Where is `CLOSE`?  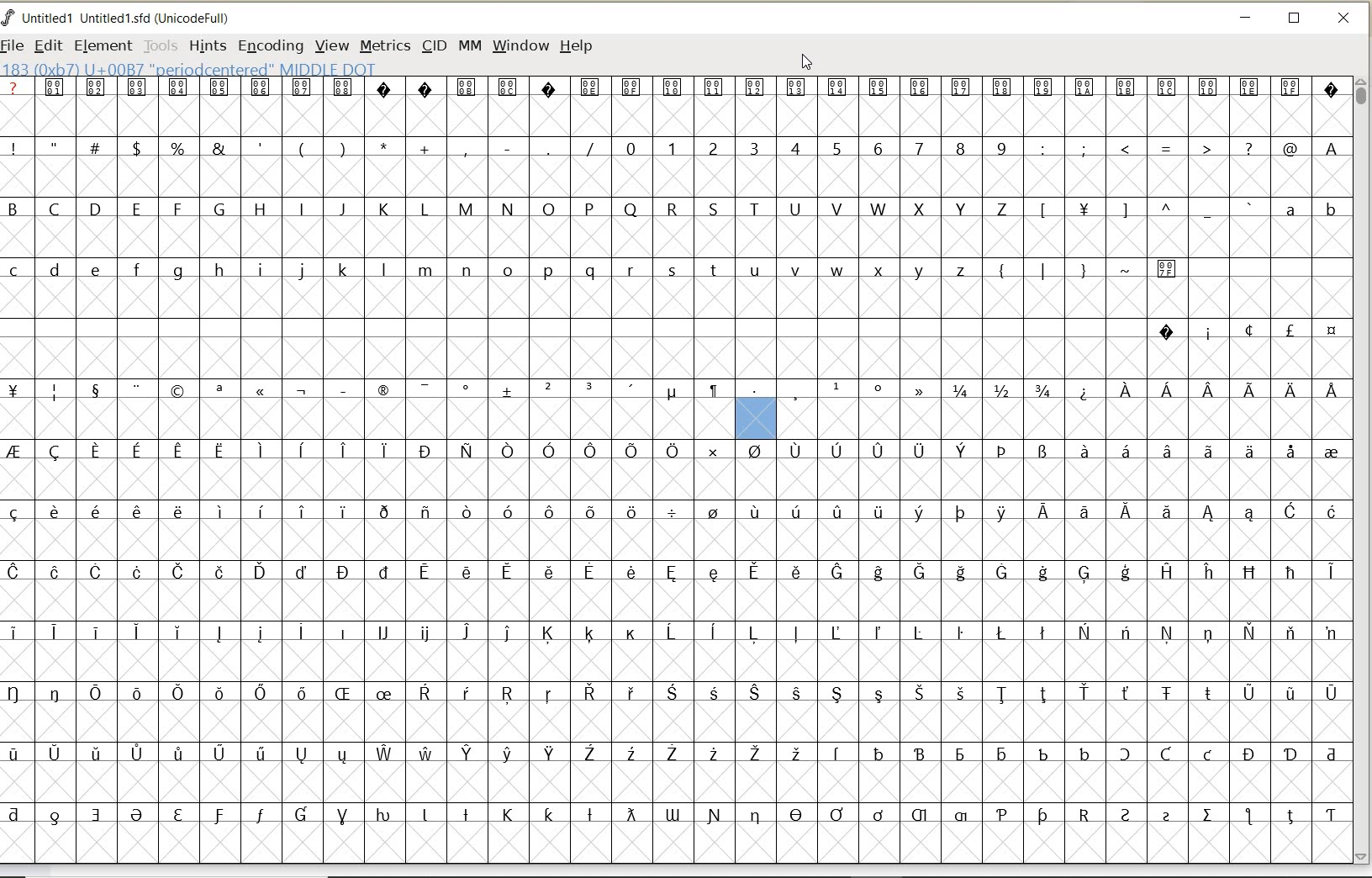
CLOSE is located at coordinates (1345, 19).